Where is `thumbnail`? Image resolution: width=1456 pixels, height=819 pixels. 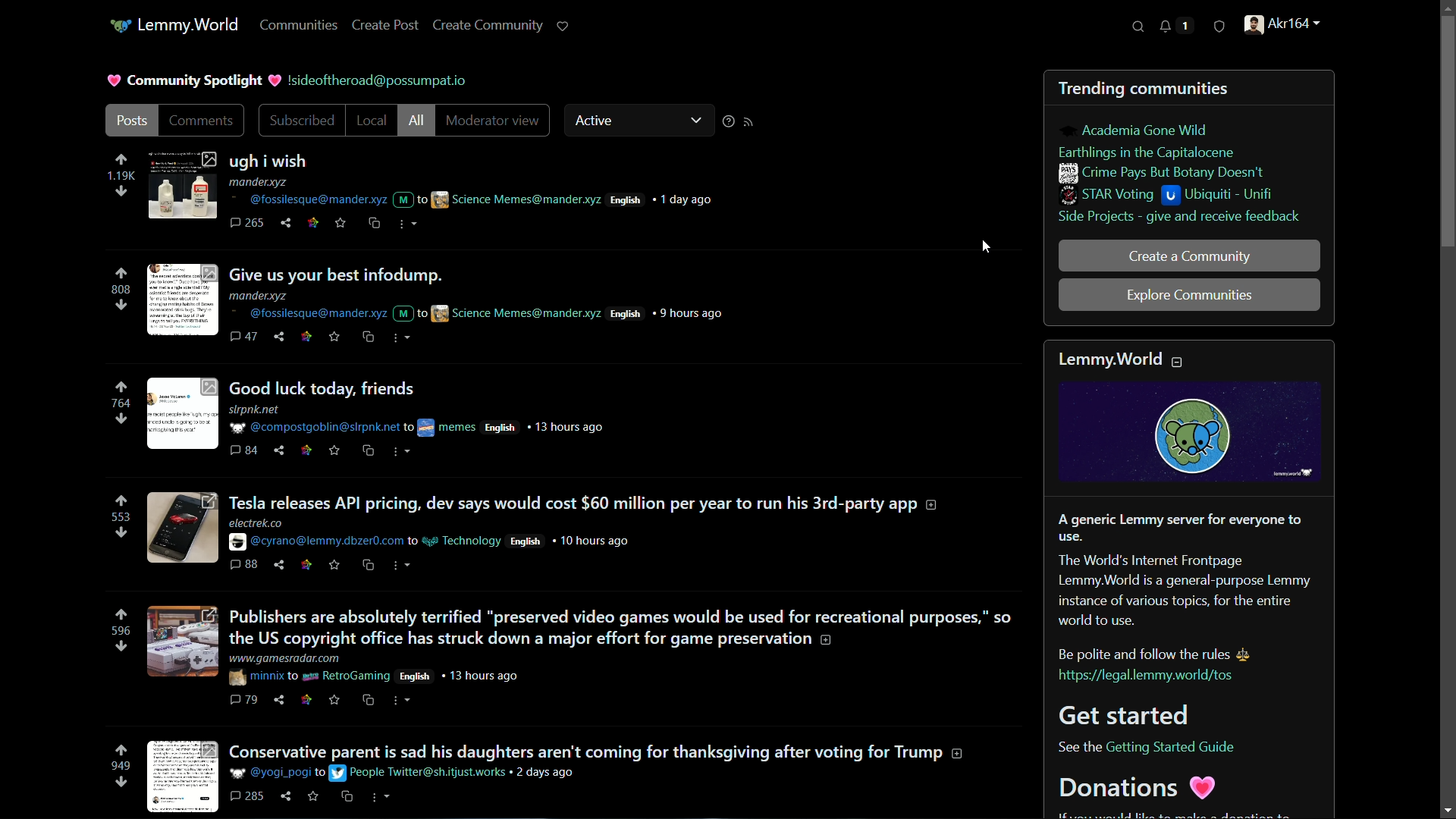 thumbnail is located at coordinates (180, 415).